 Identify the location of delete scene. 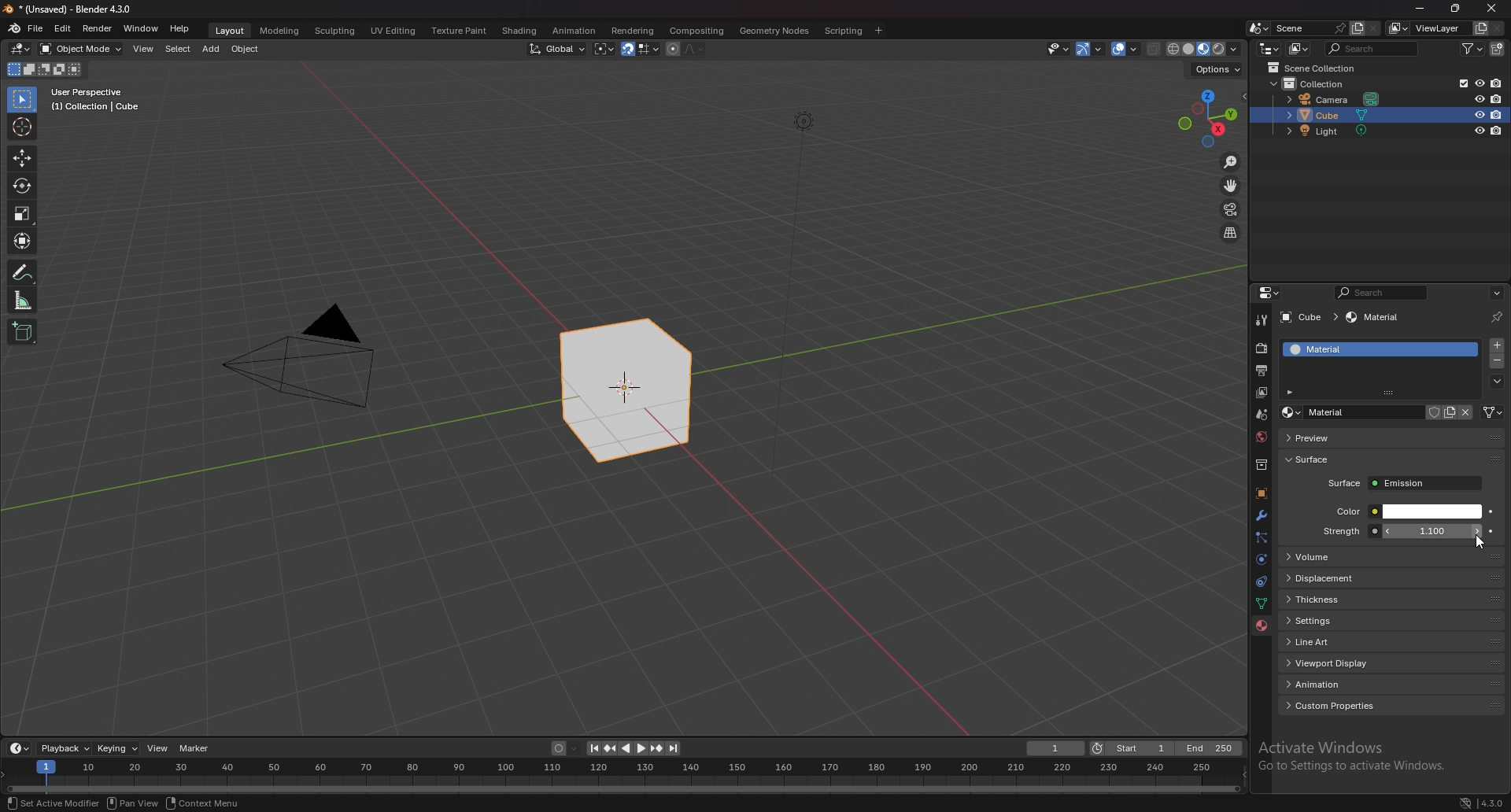
(1374, 29).